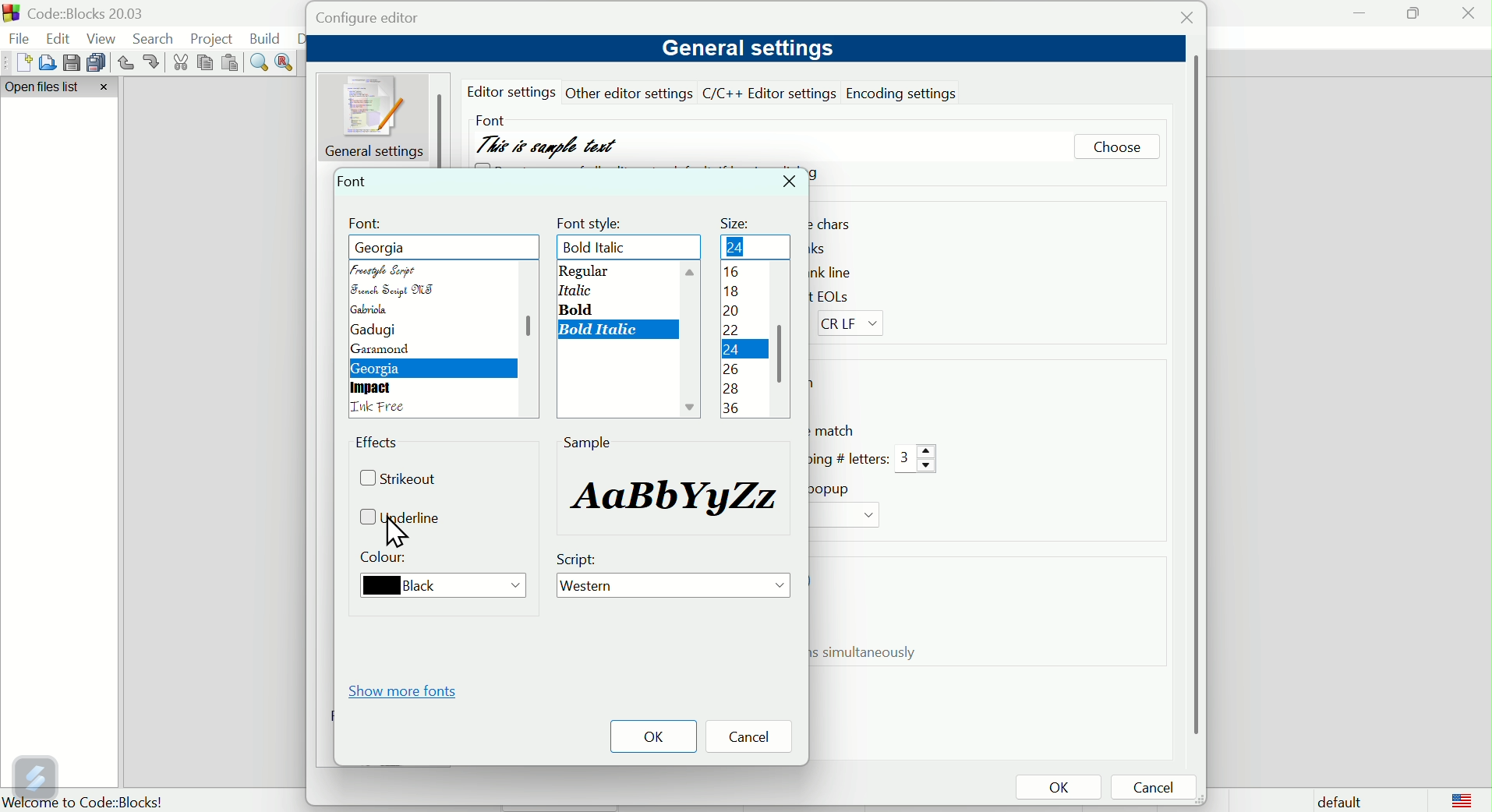  Describe the element at coordinates (367, 224) in the screenshot. I see `Font` at that location.